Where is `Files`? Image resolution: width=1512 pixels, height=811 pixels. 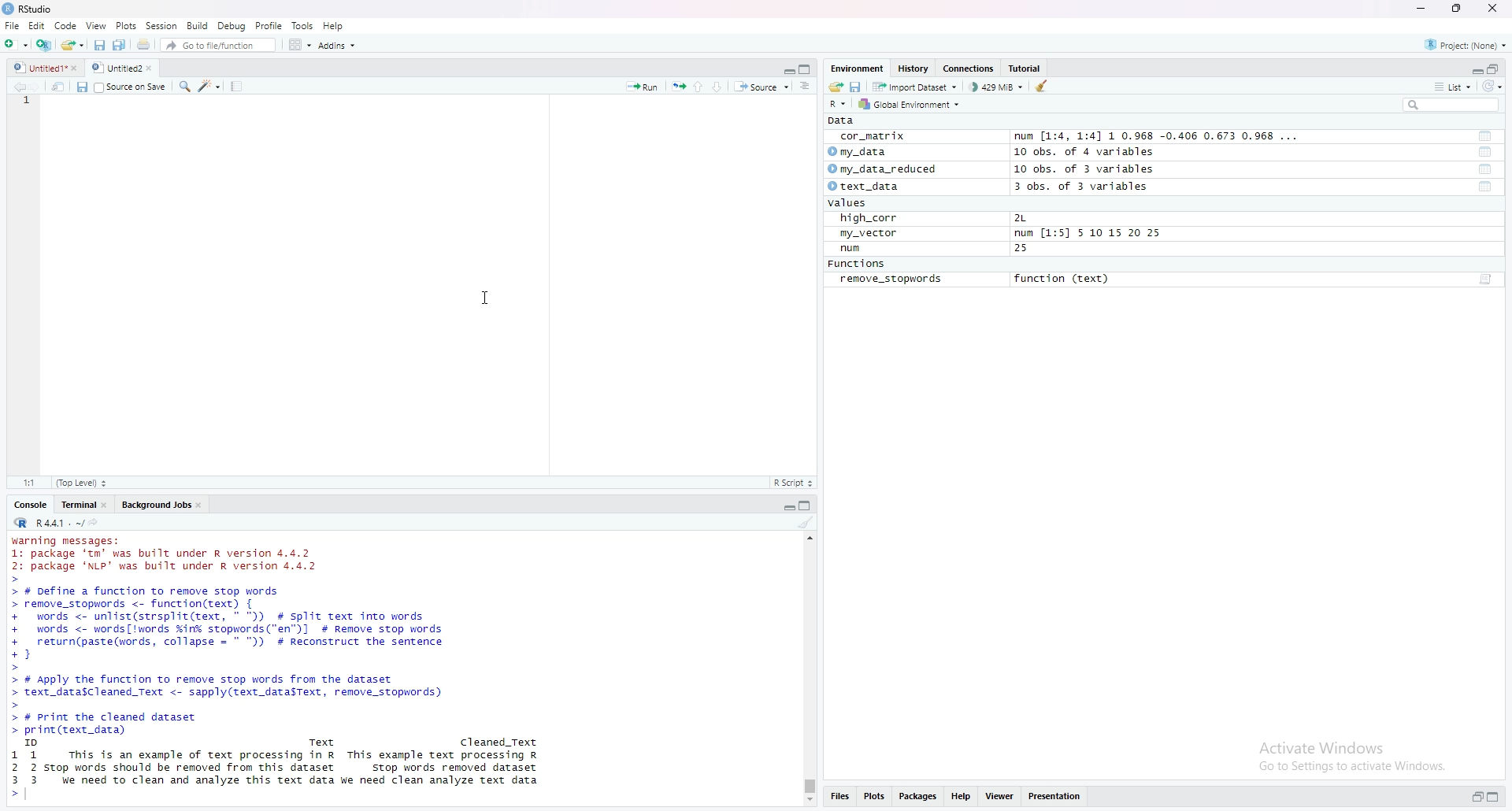 Files is located at coordinates (836, 797).